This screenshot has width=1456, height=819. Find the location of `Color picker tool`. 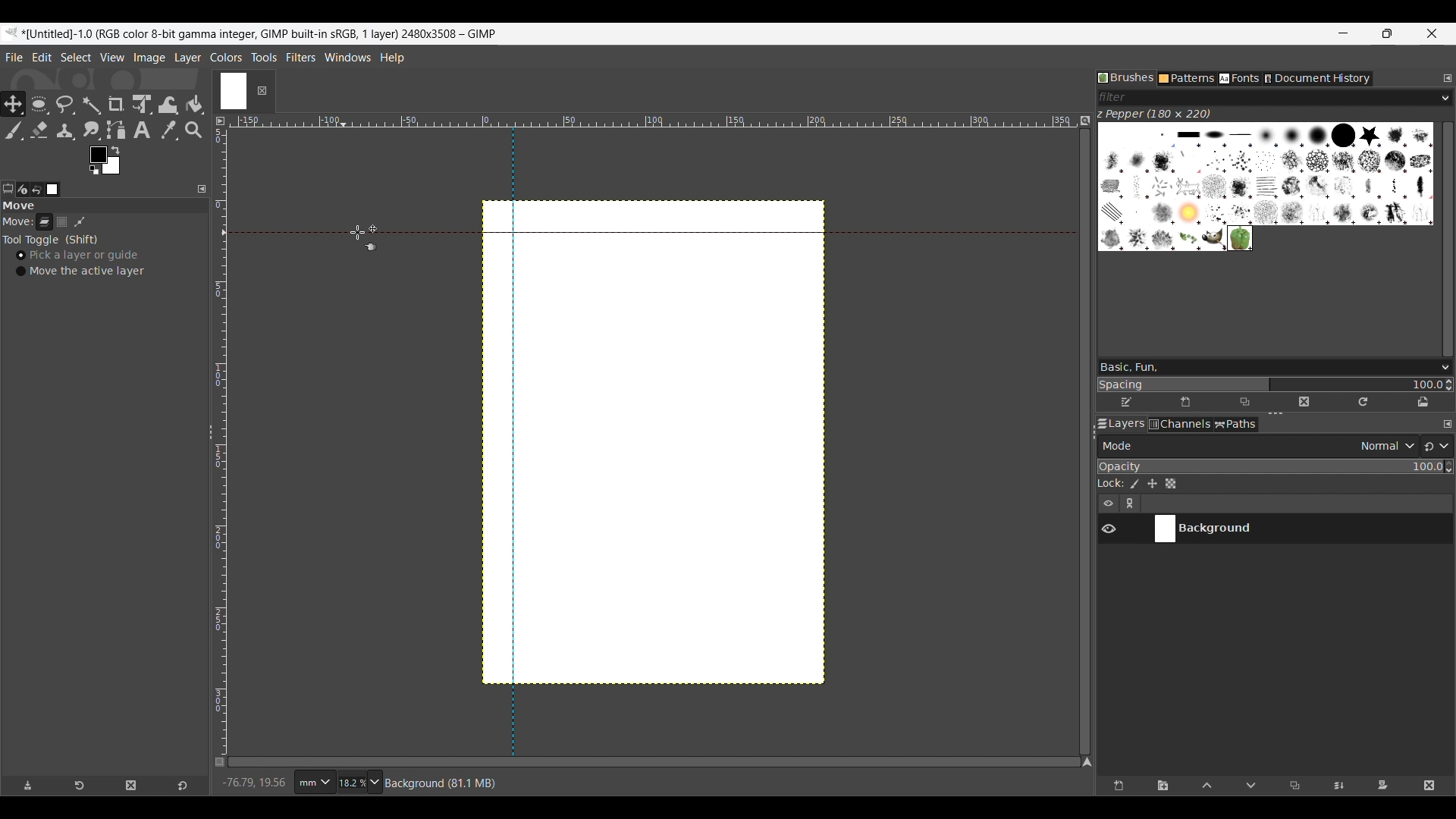

Color picker tool is located at coordinates (169, 130).